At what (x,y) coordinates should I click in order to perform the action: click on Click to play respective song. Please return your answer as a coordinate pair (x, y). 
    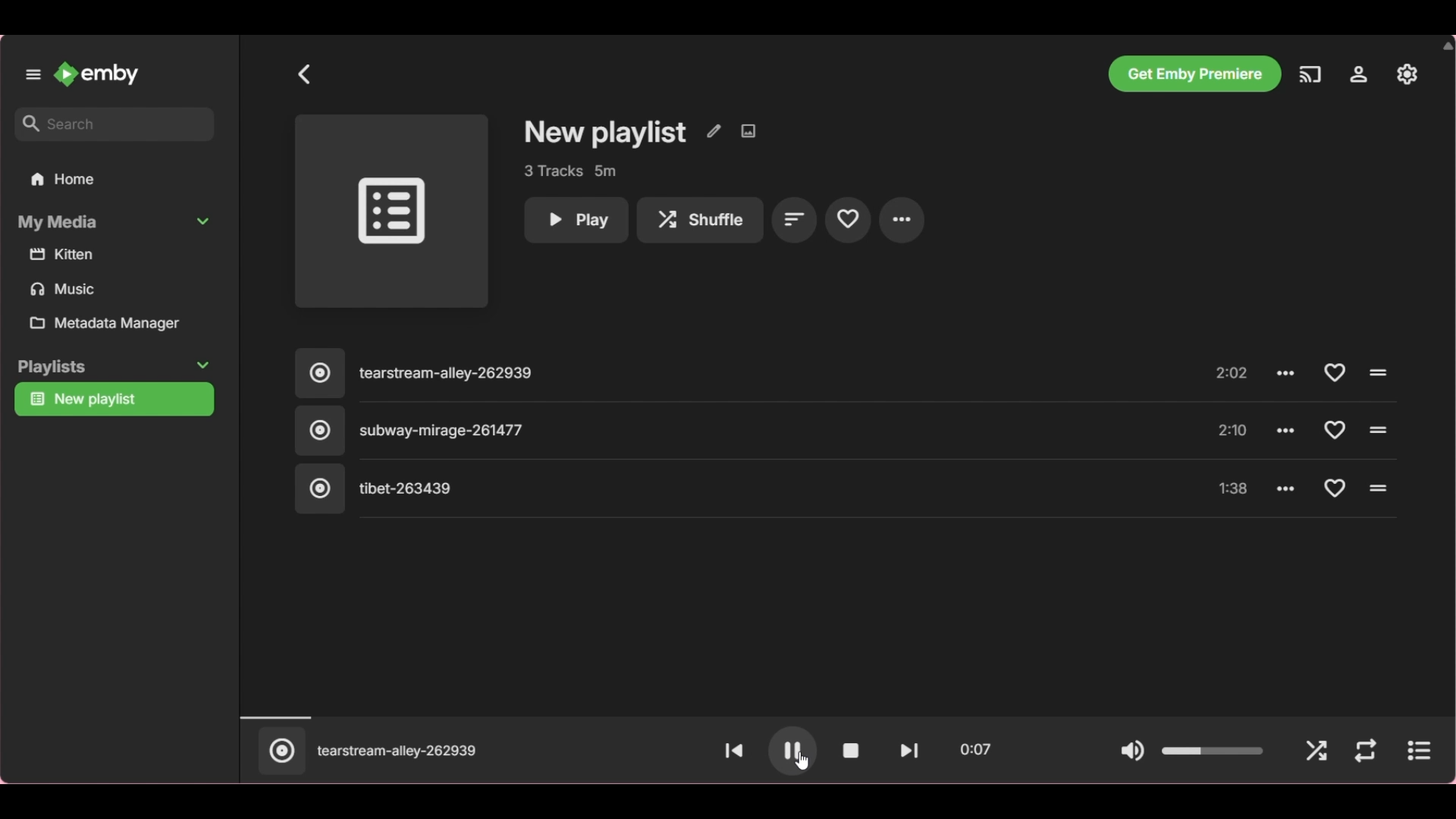
    Looking at the image, I should click on (1379, 488).